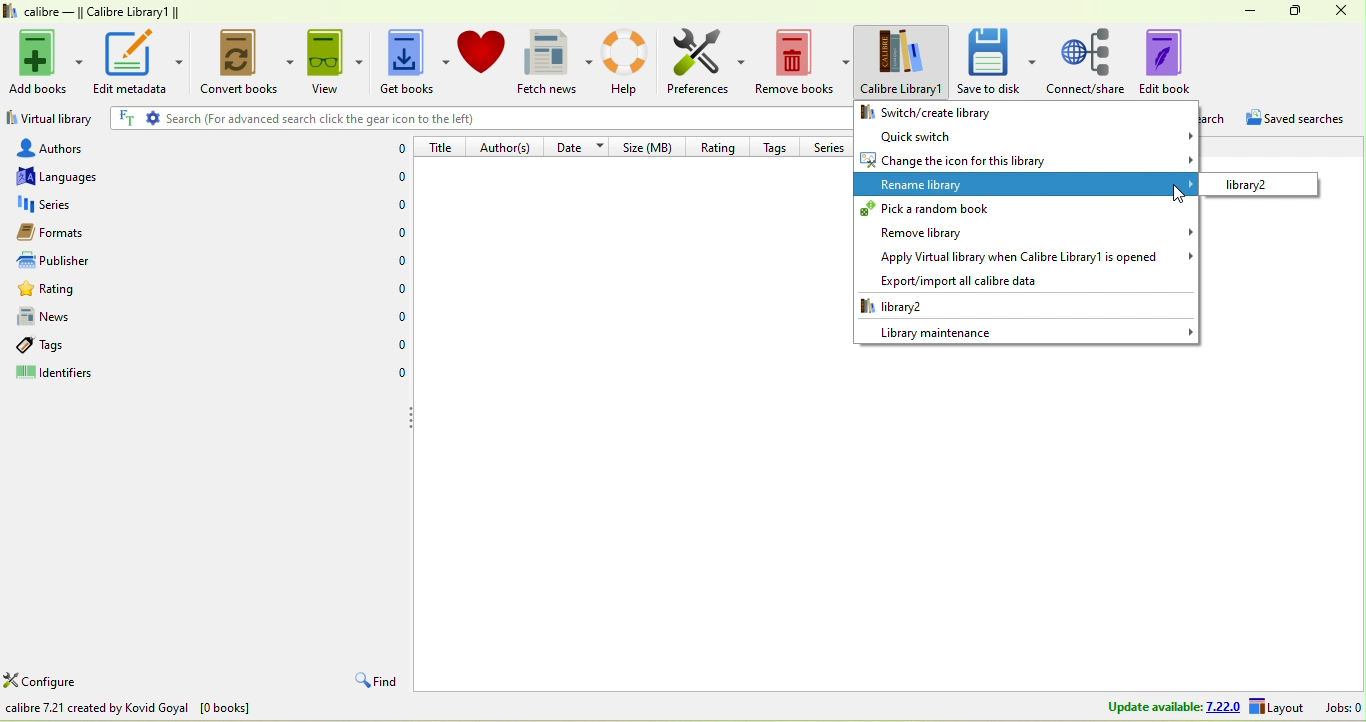 The height and width of the screenshot is (722, 1366). What do you see at coordinates (1026, 185) in the screenshot?
I see `rename library` at bounding box center [1026, 185].